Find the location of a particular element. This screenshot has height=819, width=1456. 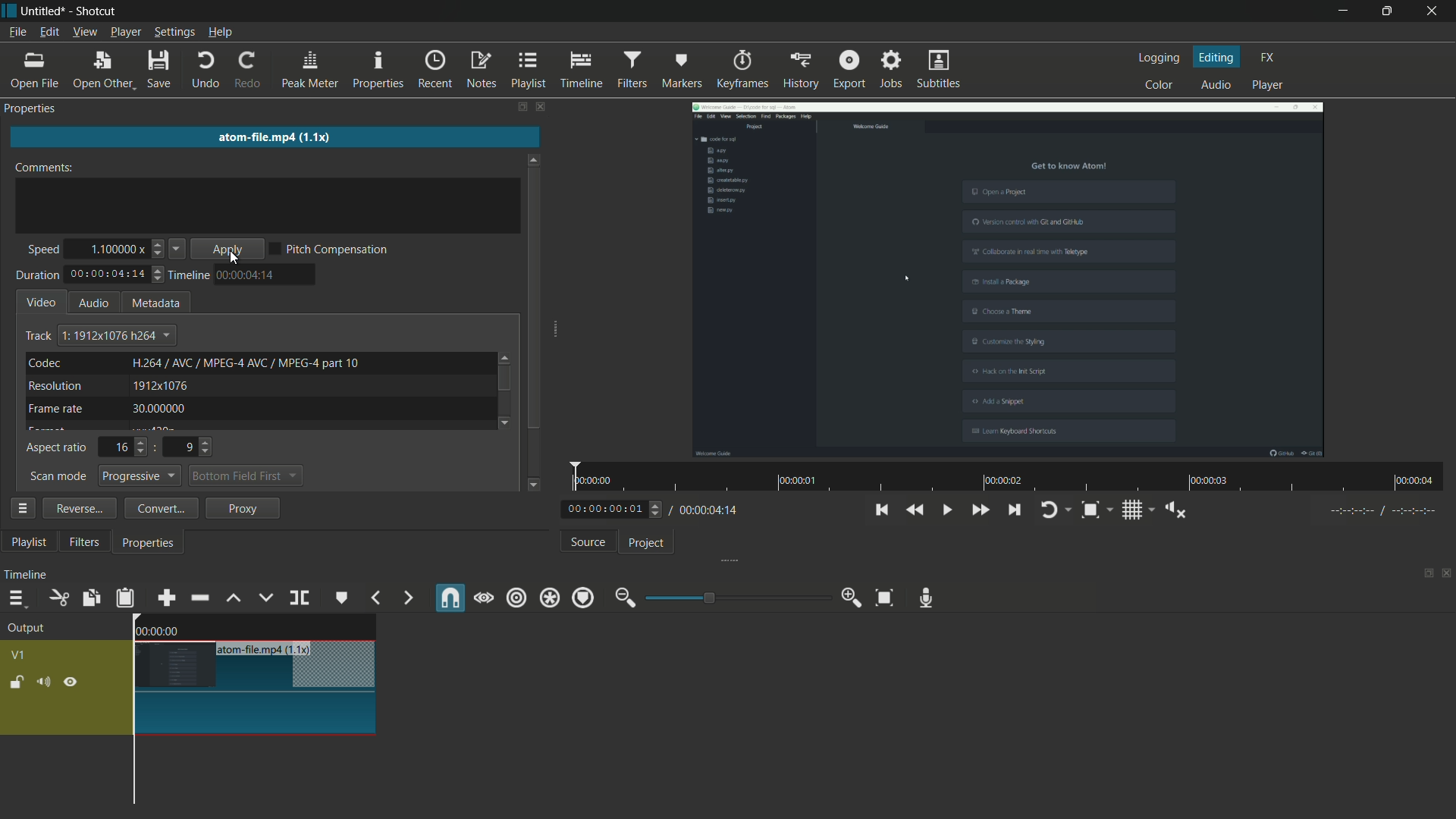

recent is located at coordinates (435, 70).